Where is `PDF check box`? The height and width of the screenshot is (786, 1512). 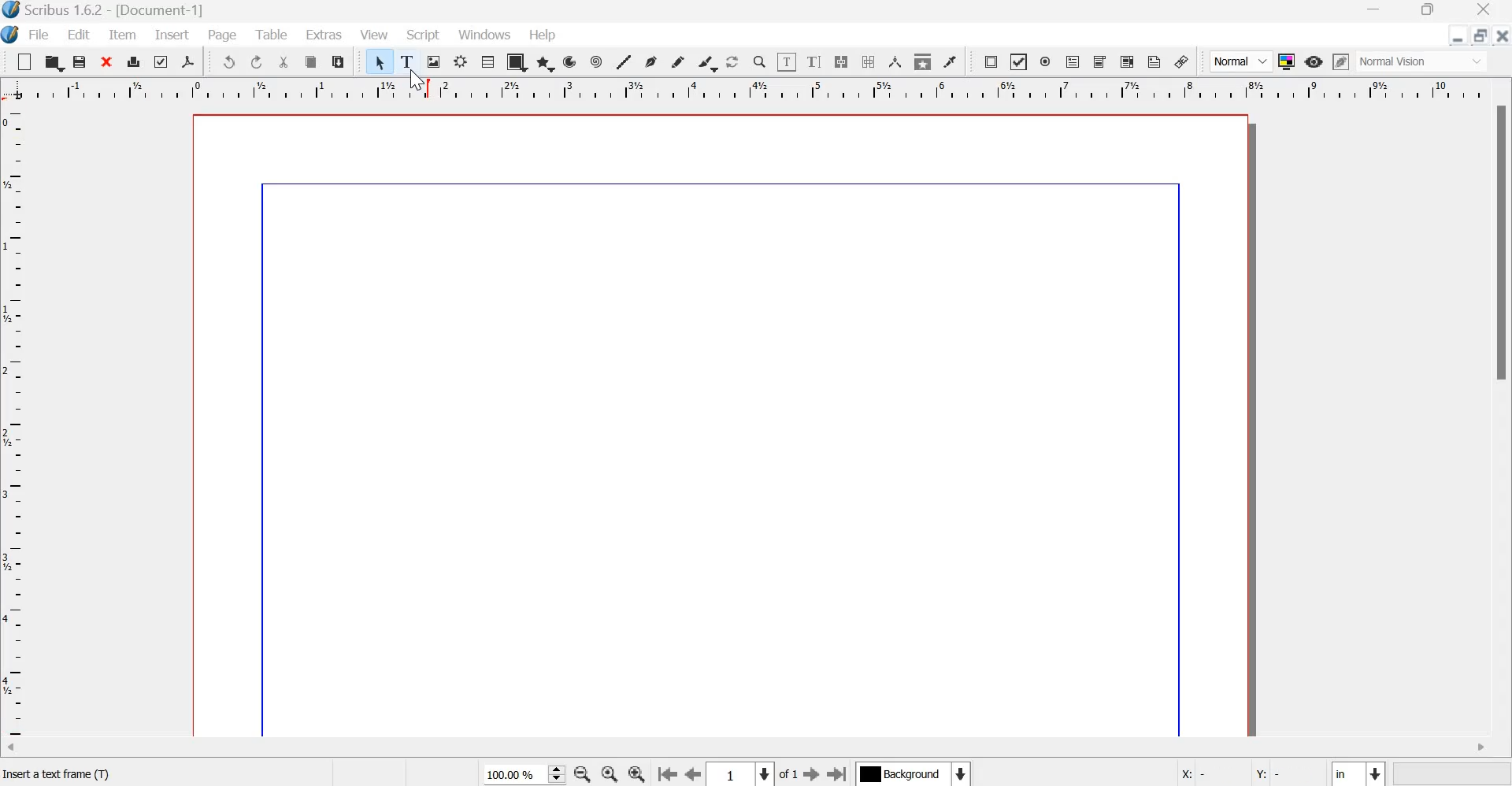
PDF check box is located at coordinates (1017, 62).